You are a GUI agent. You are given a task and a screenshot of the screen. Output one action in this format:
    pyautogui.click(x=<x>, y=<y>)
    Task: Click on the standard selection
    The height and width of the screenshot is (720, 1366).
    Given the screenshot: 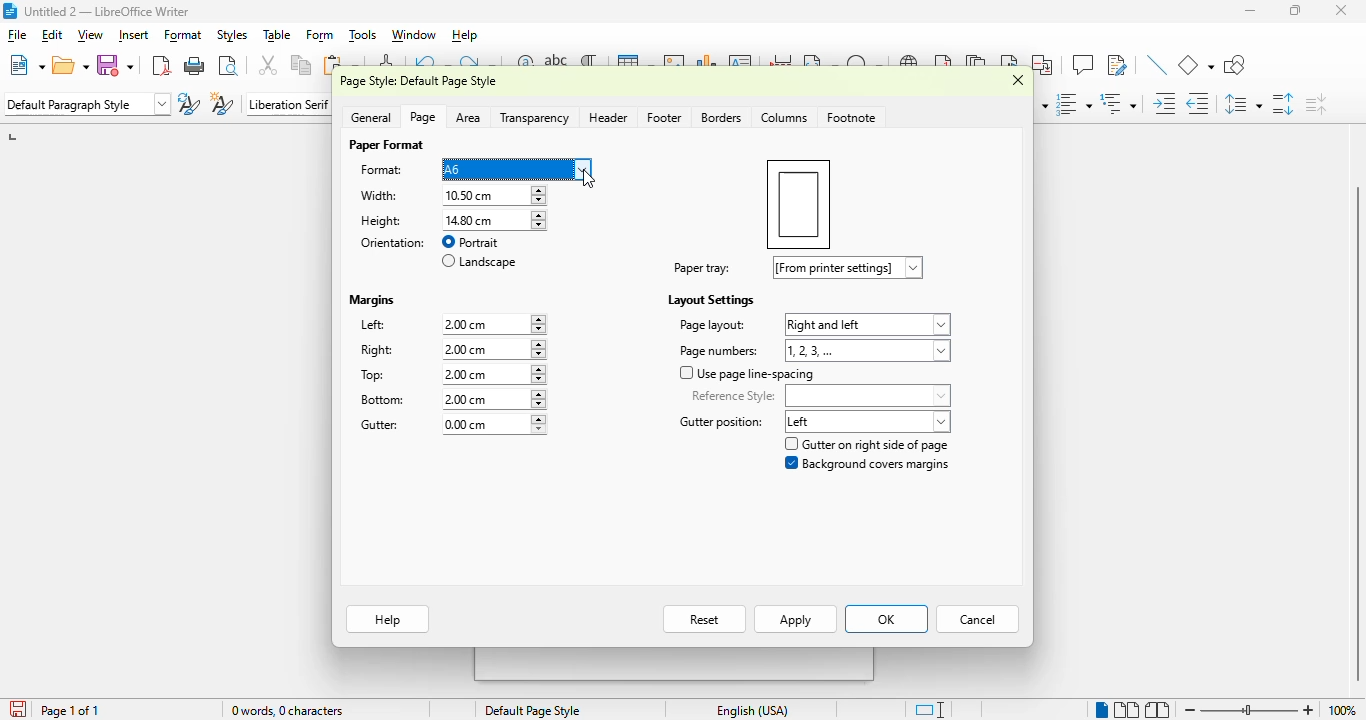 What is the action you would take?
    pyautogui.click(x=930, y=710)
    